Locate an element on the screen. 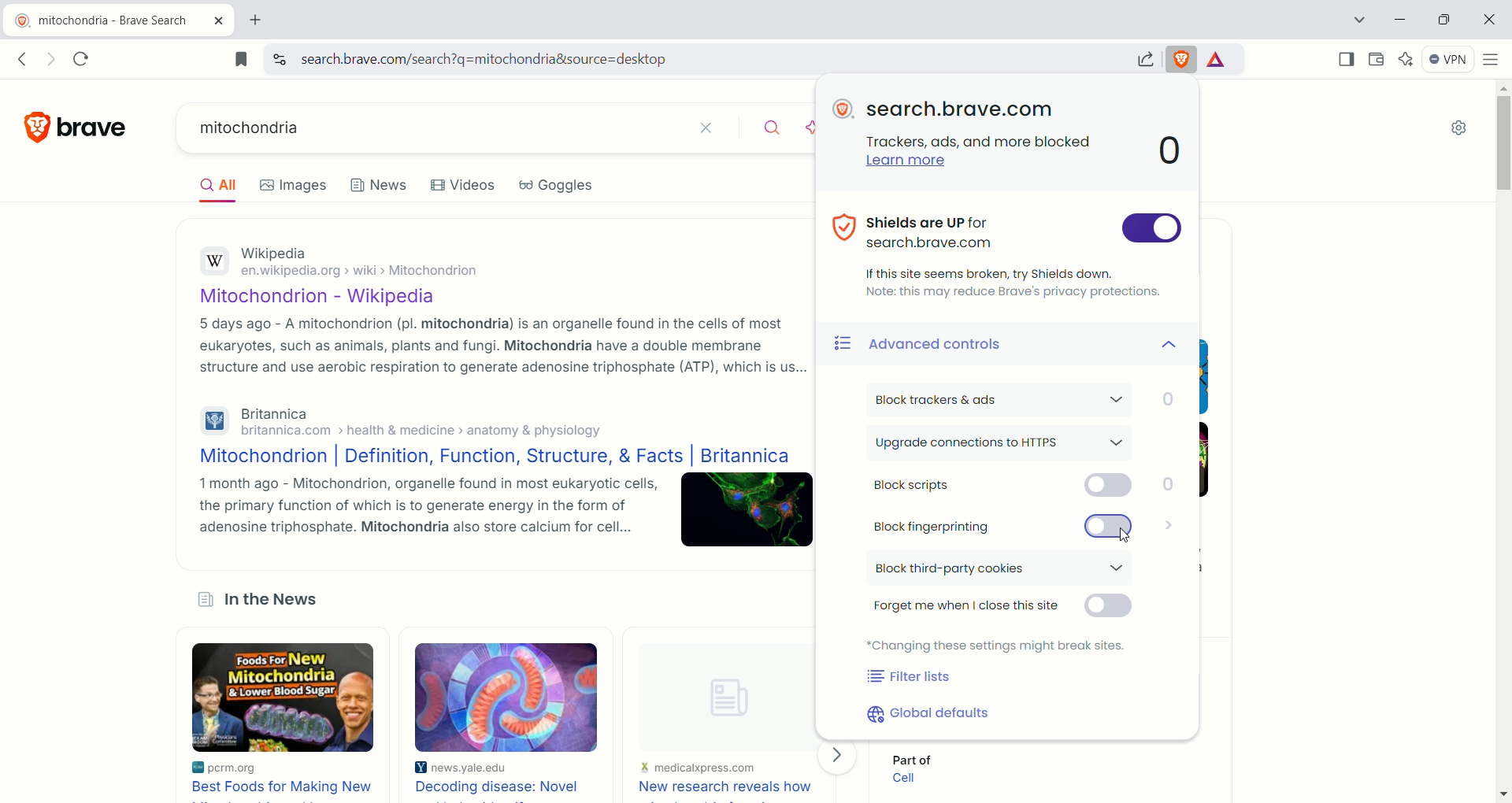  0 is located at coordinates (1172, 151).